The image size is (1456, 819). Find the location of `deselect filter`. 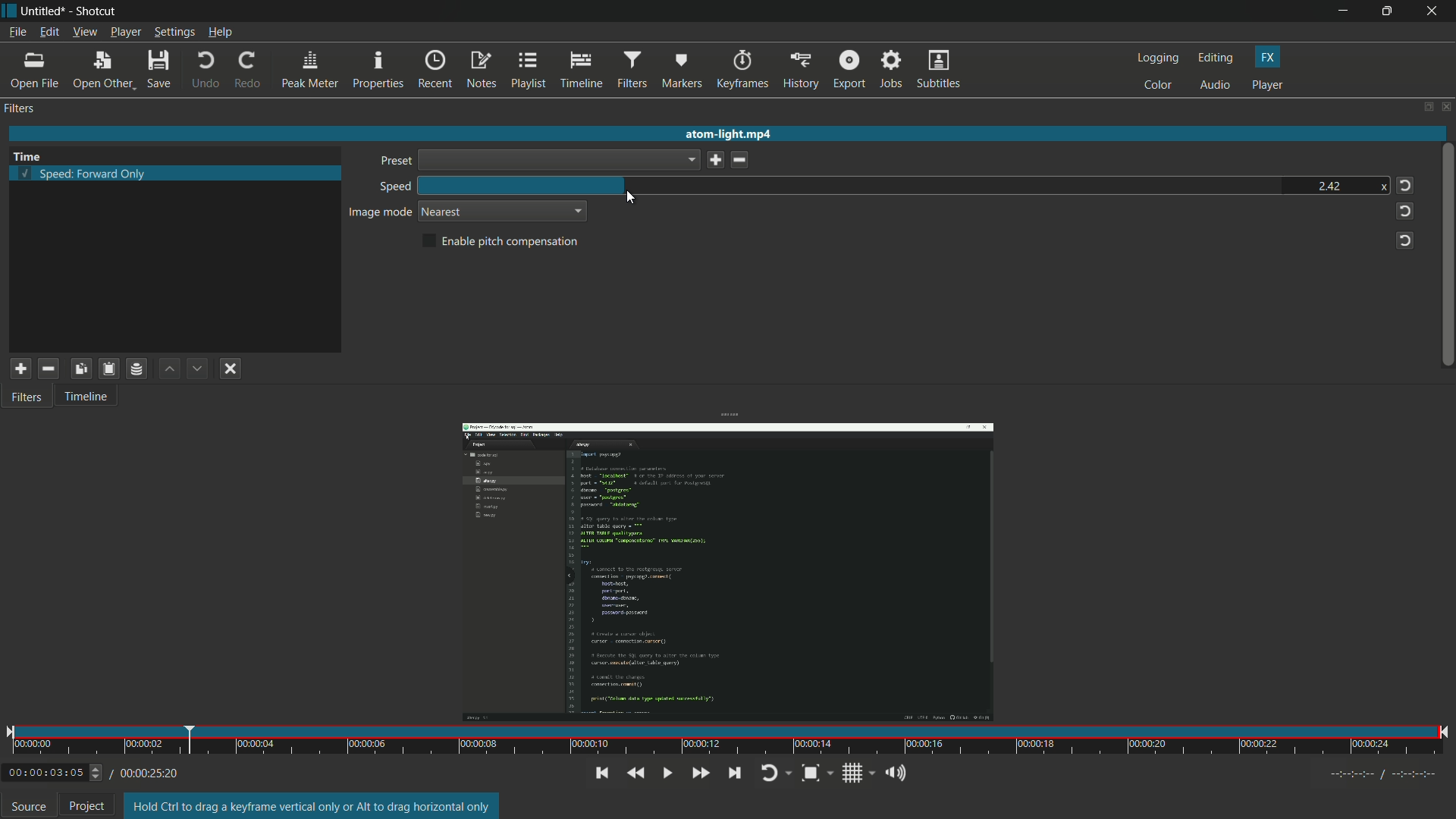

deselect filter is located at coordinates (231, 370).